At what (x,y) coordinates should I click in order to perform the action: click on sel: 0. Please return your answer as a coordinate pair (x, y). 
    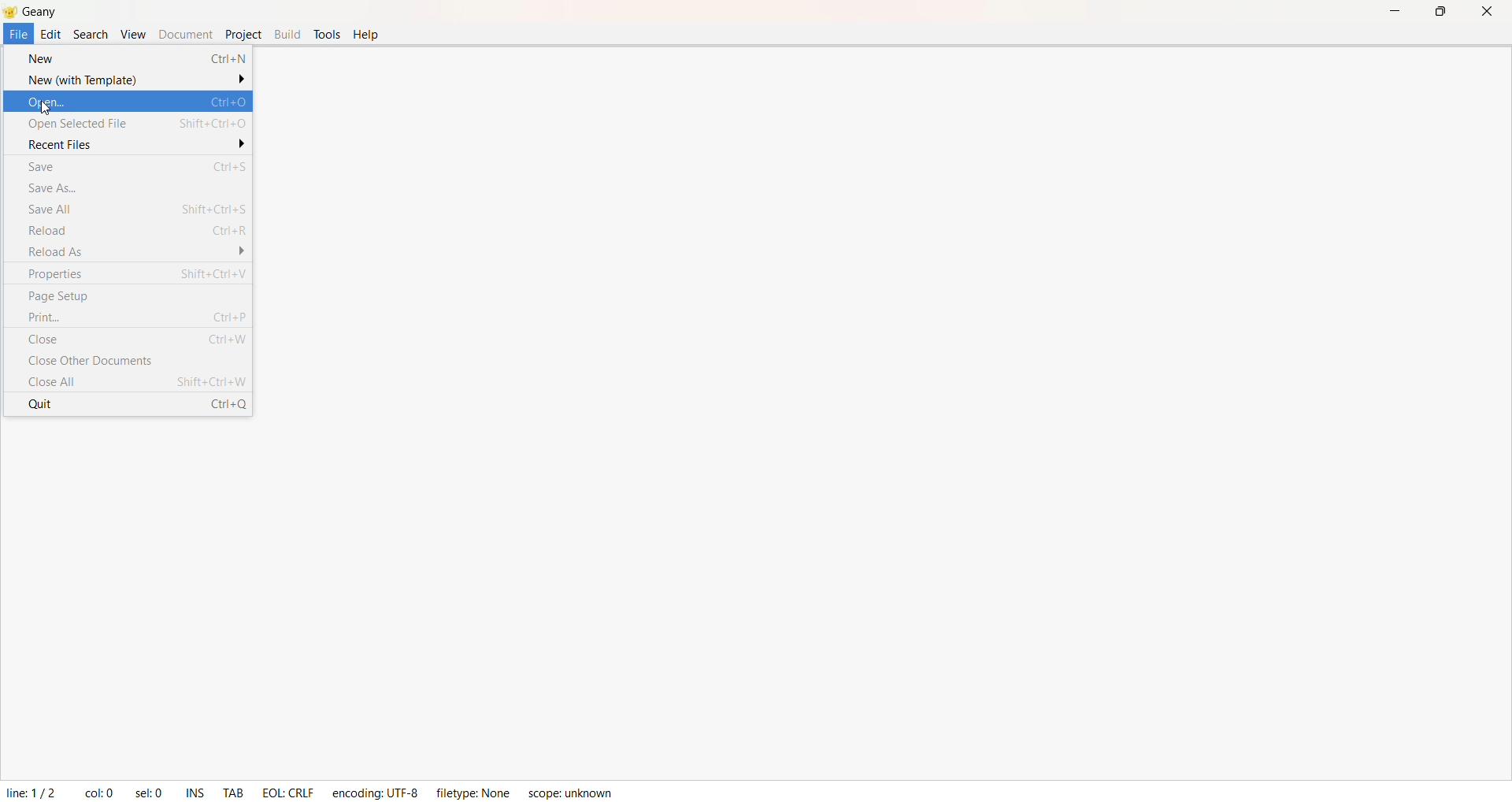
    Looking at the image, I should click on (148, 792).